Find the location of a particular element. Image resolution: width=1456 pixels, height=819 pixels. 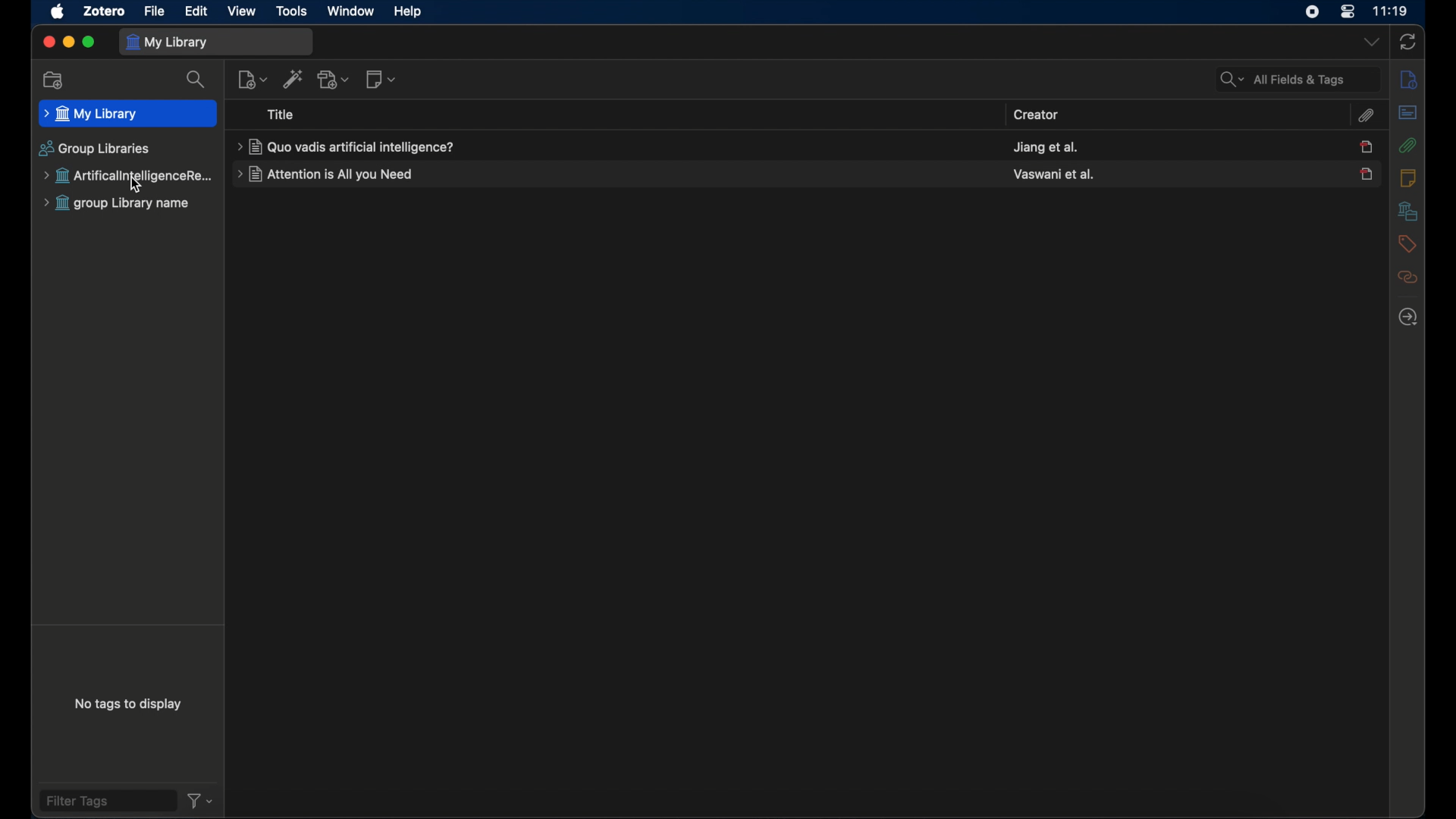

new collection is located at coordinates (55, 81).